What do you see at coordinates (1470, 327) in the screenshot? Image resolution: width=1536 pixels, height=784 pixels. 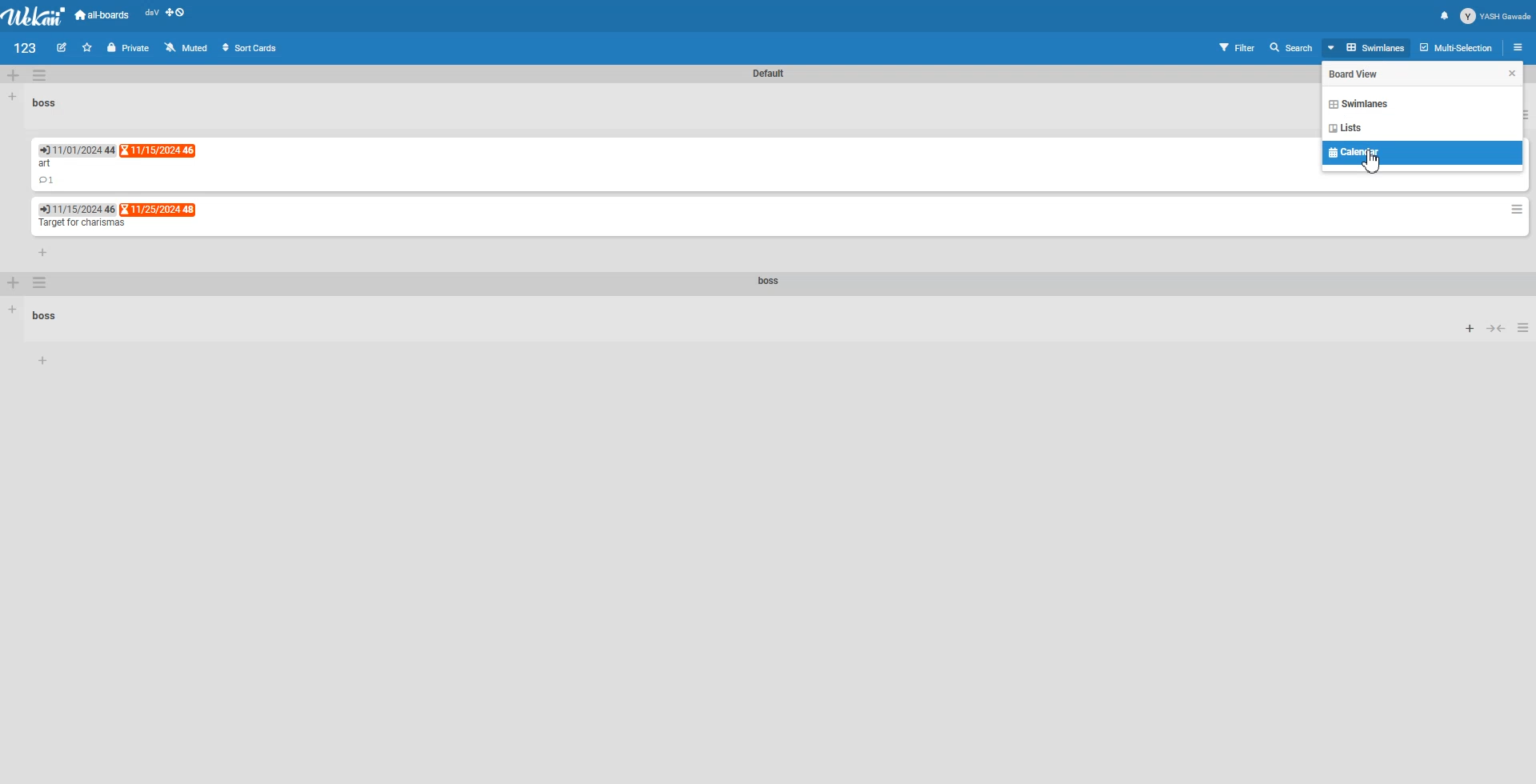 I see `Add card` at bounding box center [1470, 327].